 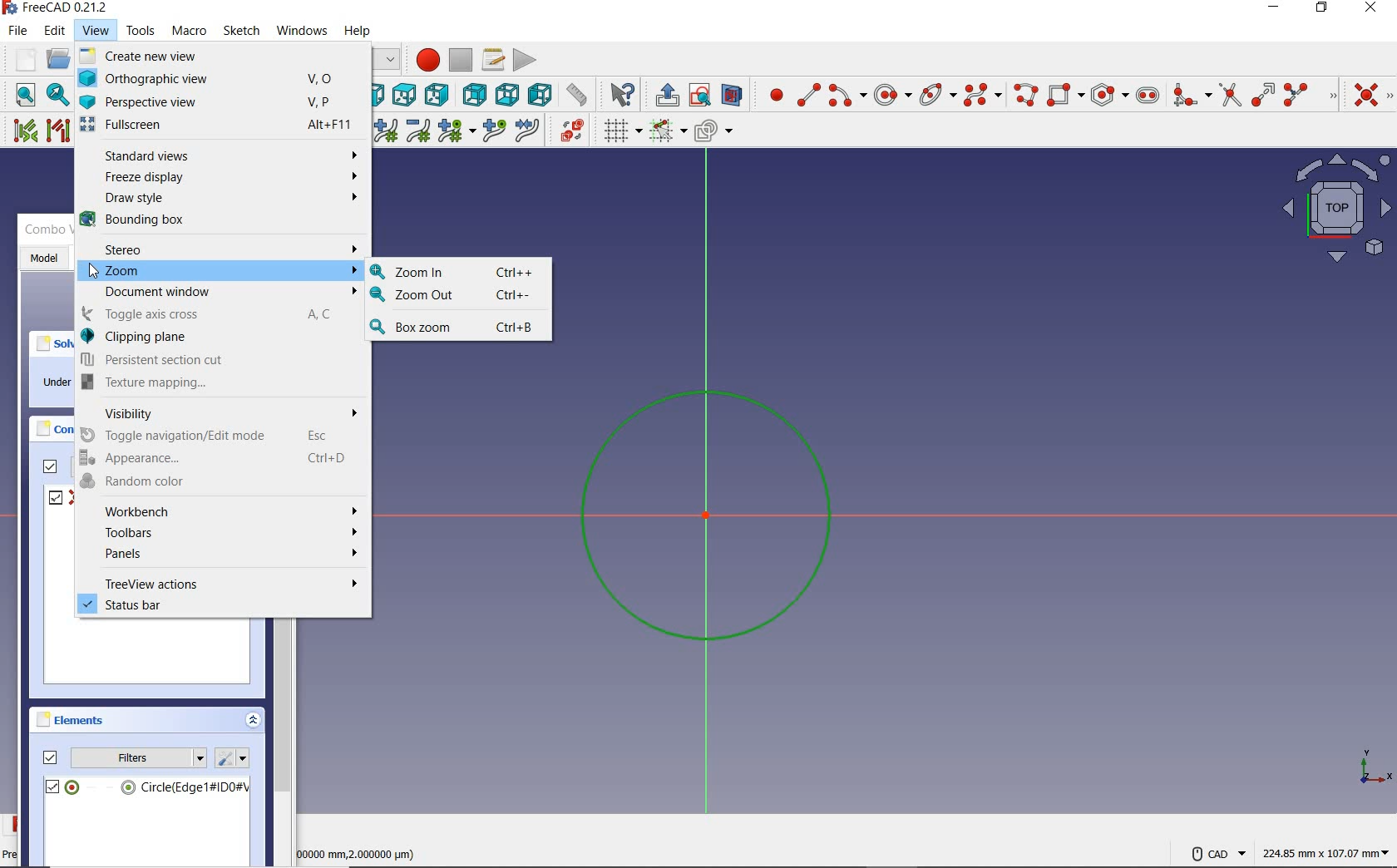 What do you see at coordinates (243, 31) in the screenshot?
I see `sketch` at bounding box center [243, 31].